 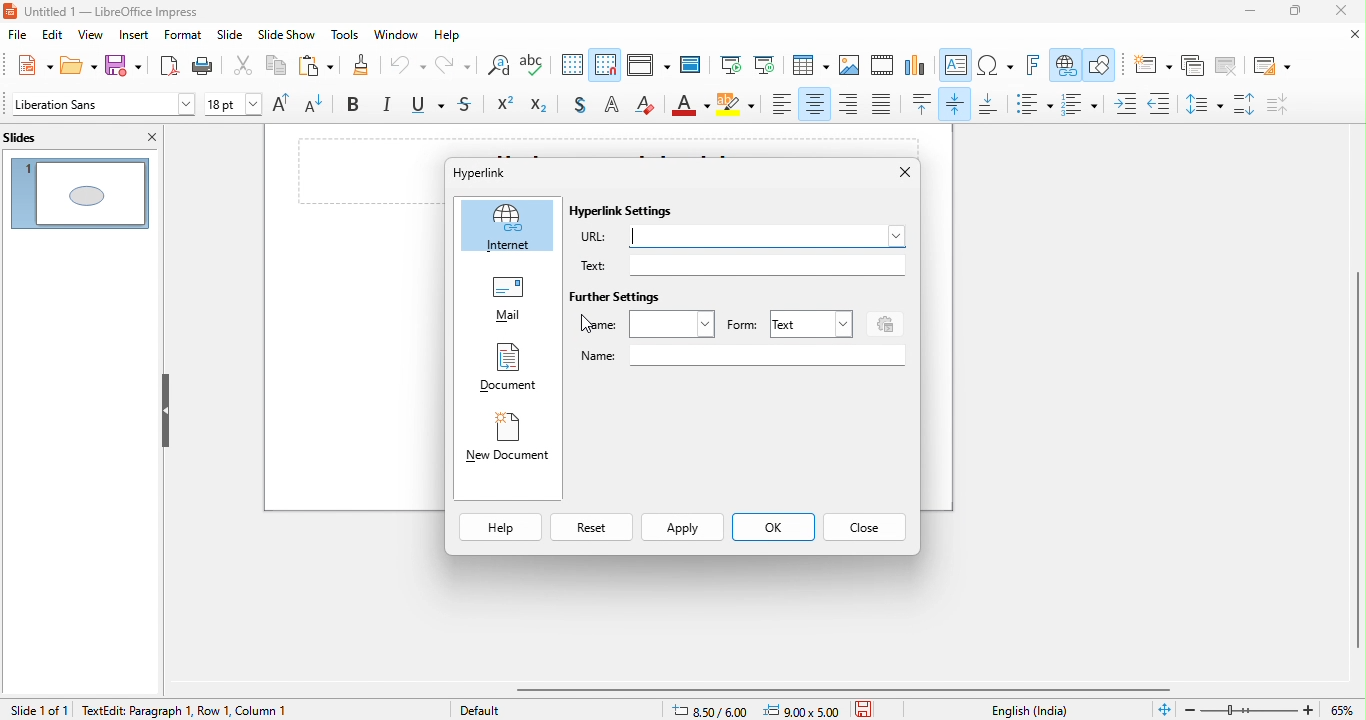 What do you see at coordinates (1247, 105) in the screenshot?
I see `increase paragraph spacing` at bounding box center [1247, 105].